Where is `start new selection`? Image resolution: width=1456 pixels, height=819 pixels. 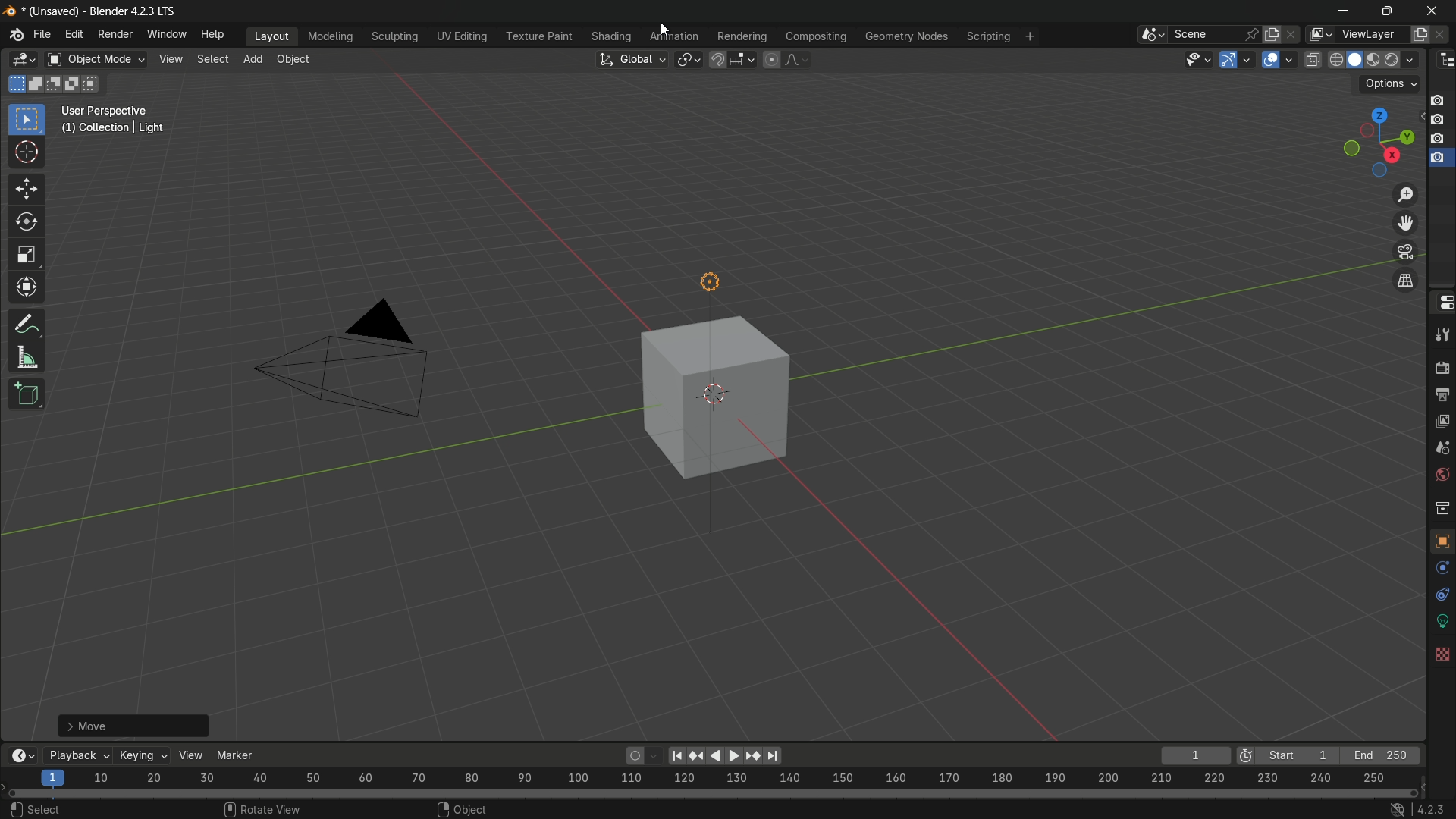 start new selection is located at coordinates (14, 83).